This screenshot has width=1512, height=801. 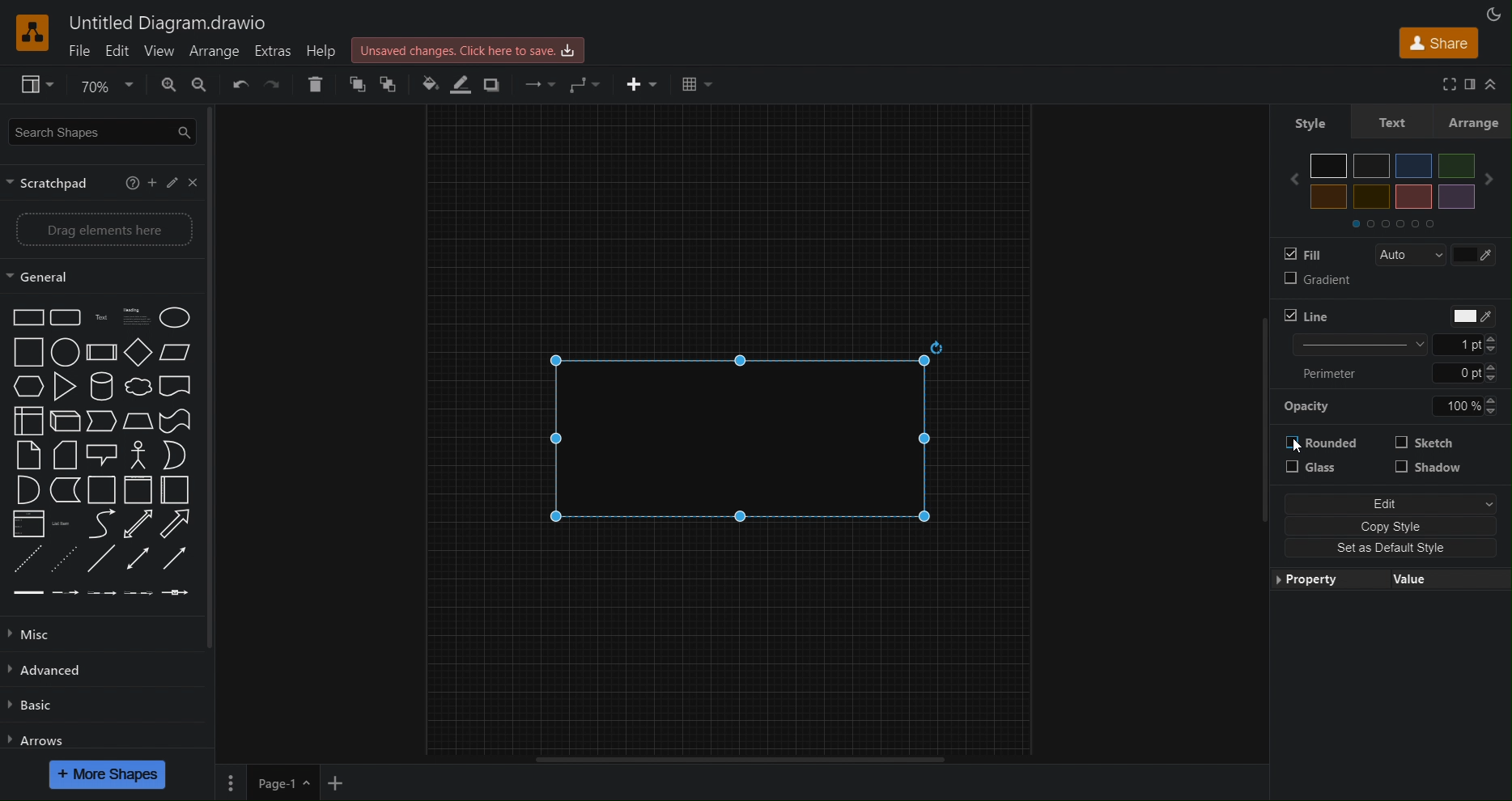 I want to click on close, so click(x=196, y=182).